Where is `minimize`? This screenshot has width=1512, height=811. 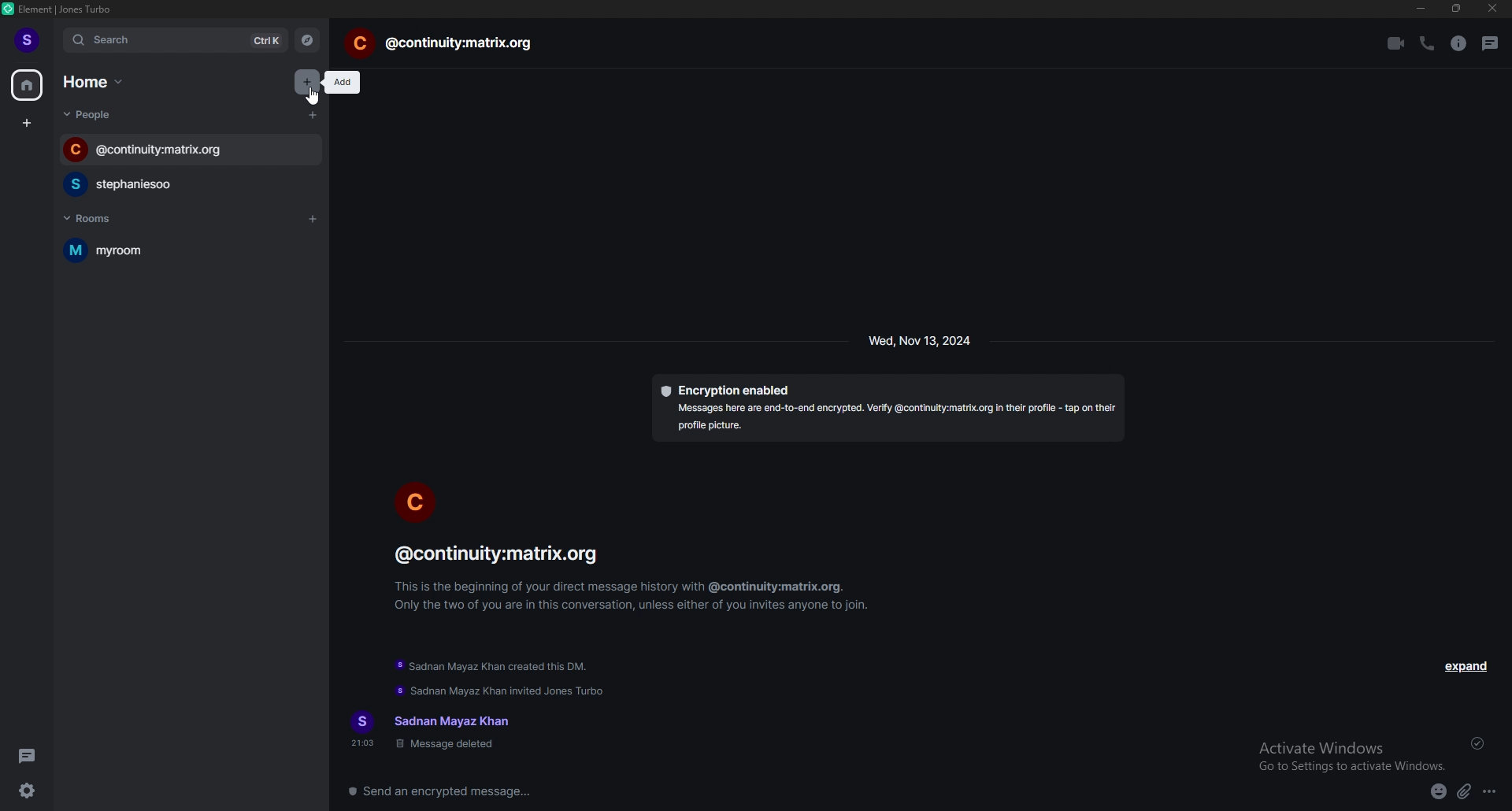 minimize is located at coordinates (1421, 9).